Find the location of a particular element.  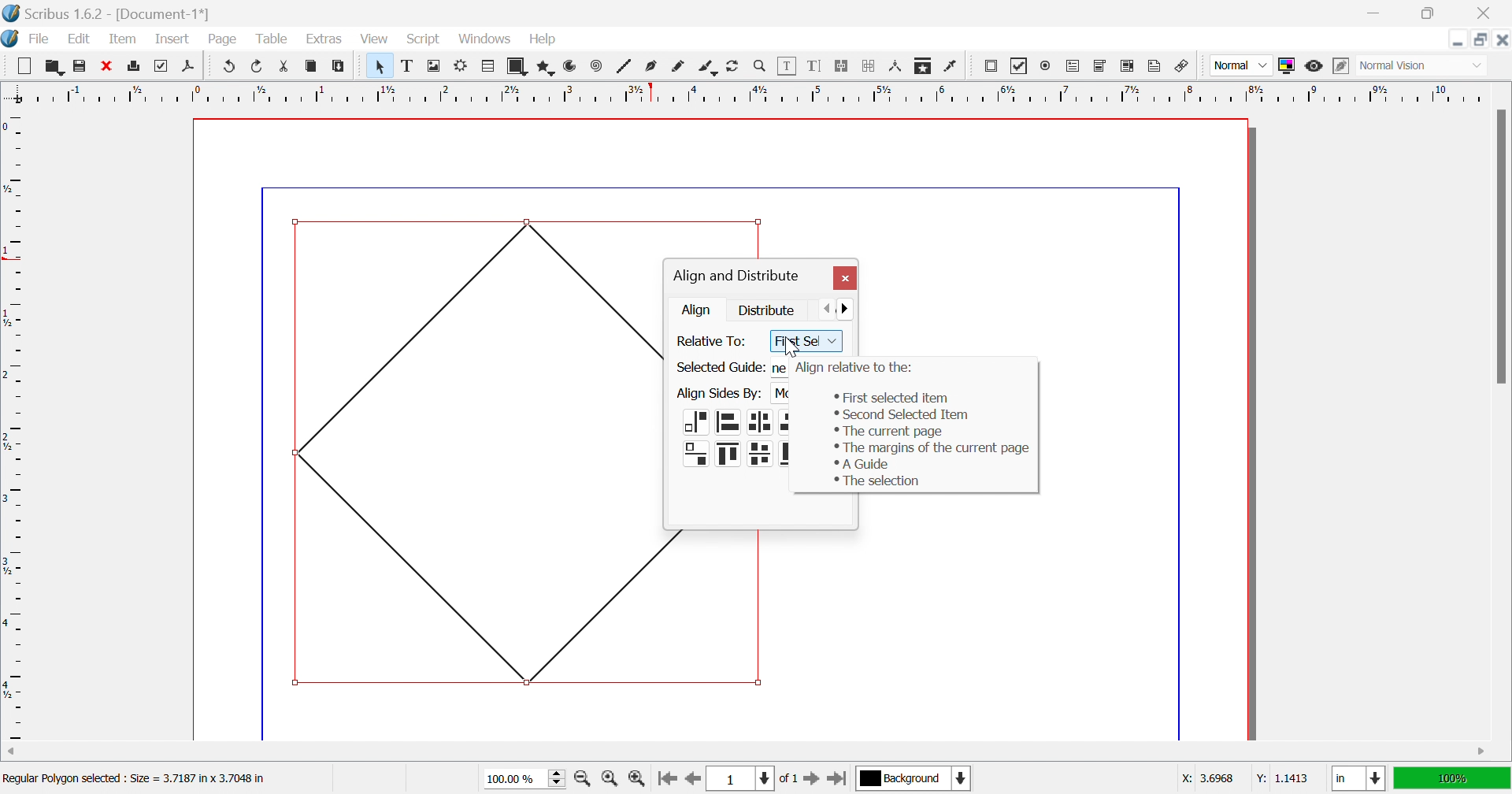

First select is located at coordinates (806, 342).